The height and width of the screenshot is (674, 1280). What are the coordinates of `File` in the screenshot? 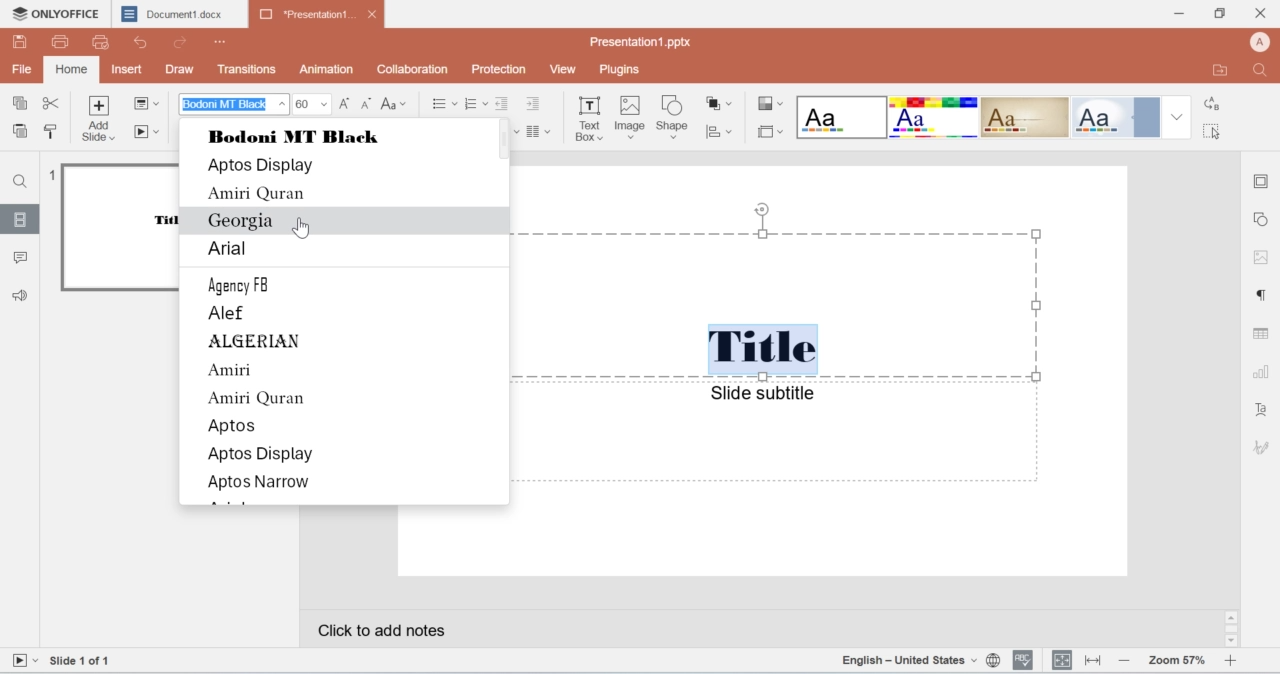 It's located at (21, 68).